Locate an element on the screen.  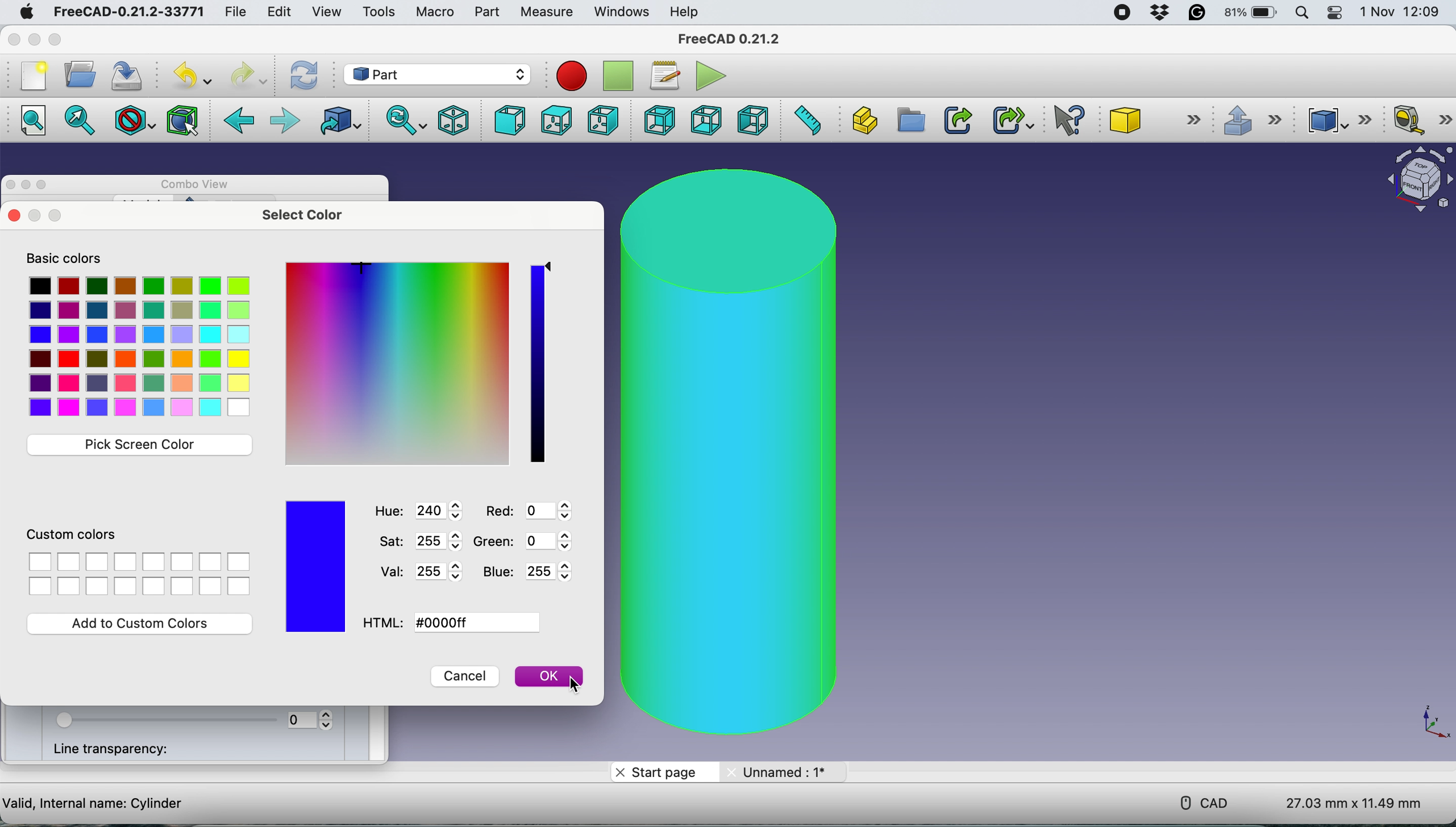
close is located at coordinates (11, 216).